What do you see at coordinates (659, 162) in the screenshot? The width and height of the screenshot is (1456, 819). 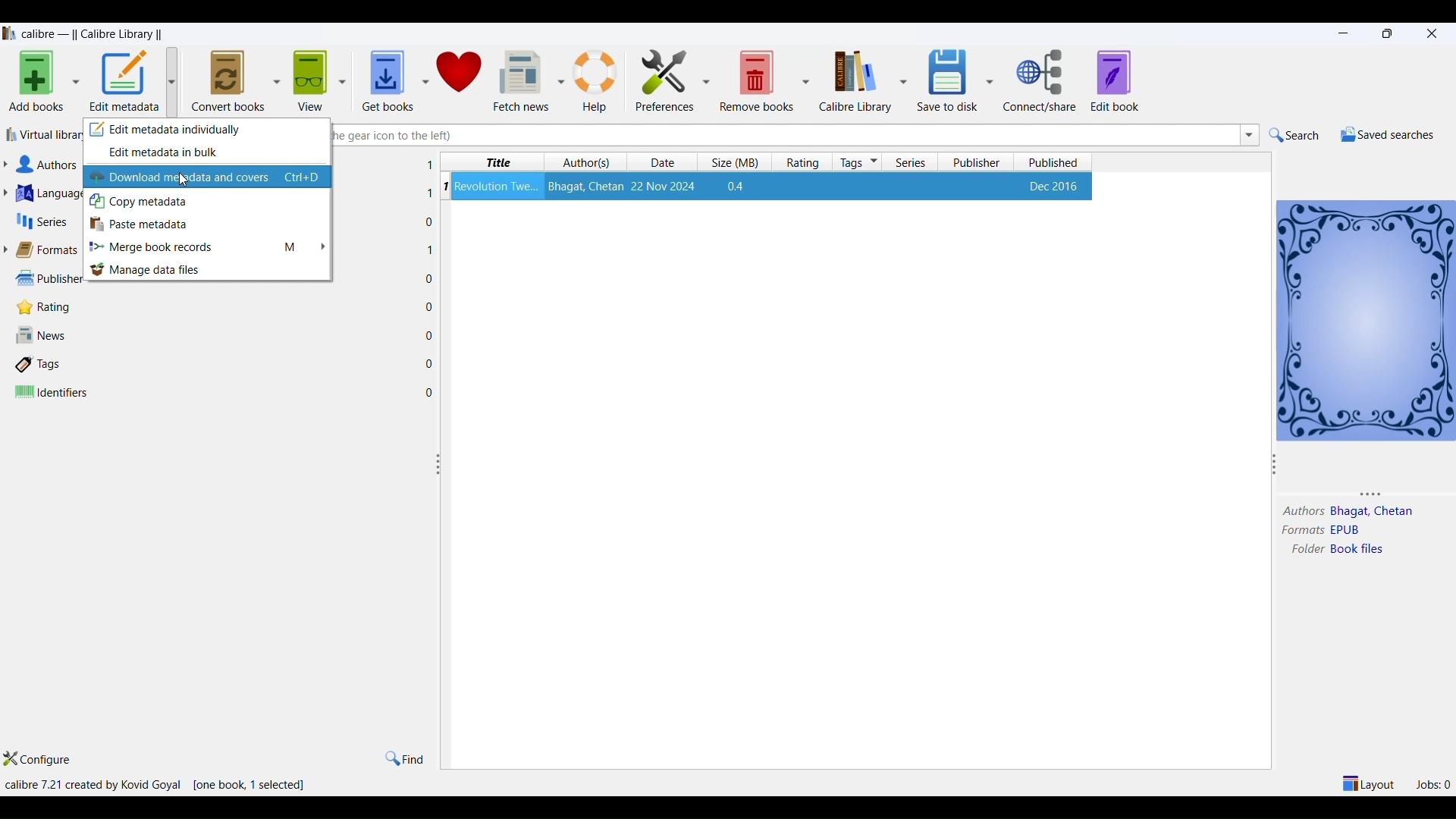 I see `date` at bounding box center [659, 162].